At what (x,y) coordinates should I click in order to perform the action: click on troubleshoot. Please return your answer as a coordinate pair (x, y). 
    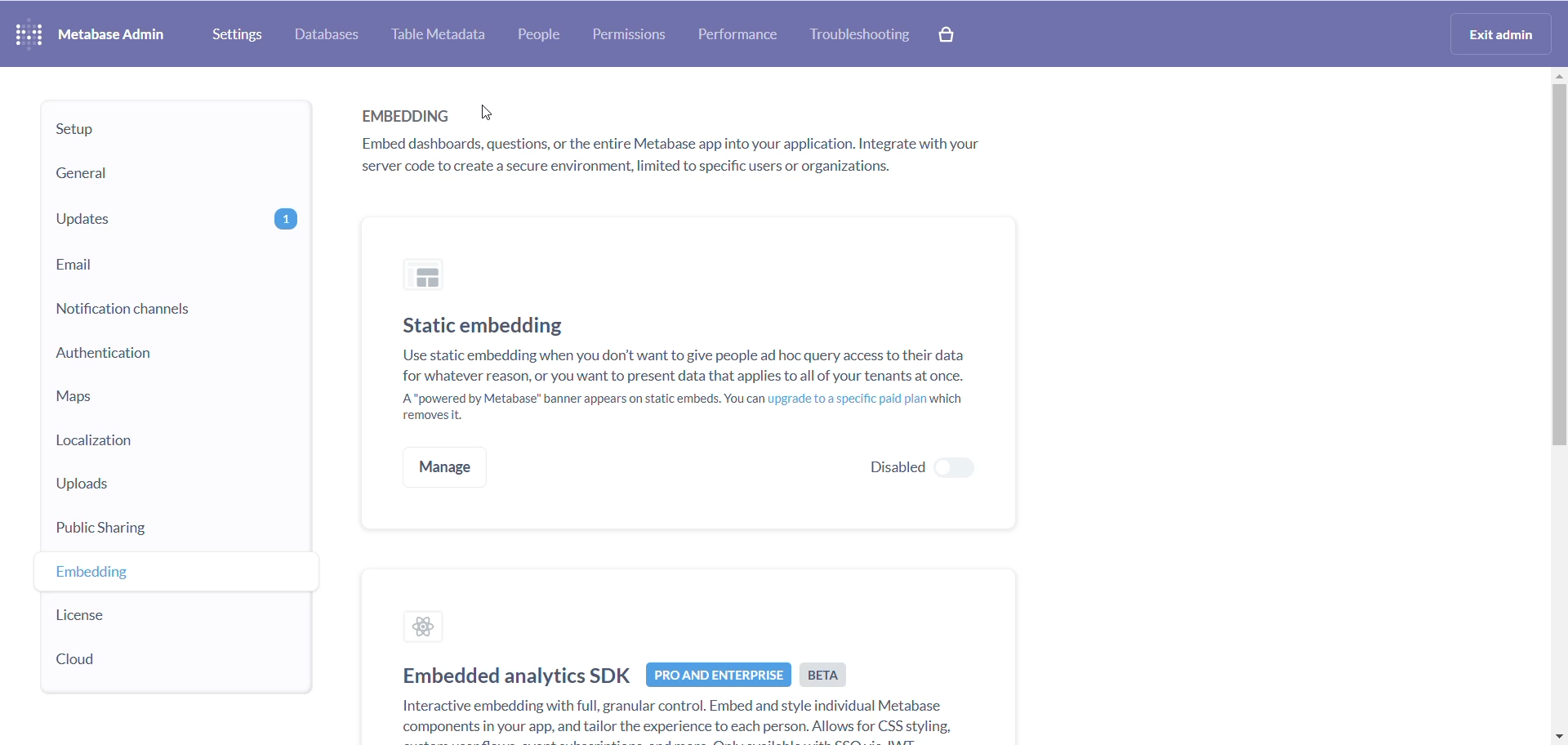
    Looking at the image, I should click on (861, 34).